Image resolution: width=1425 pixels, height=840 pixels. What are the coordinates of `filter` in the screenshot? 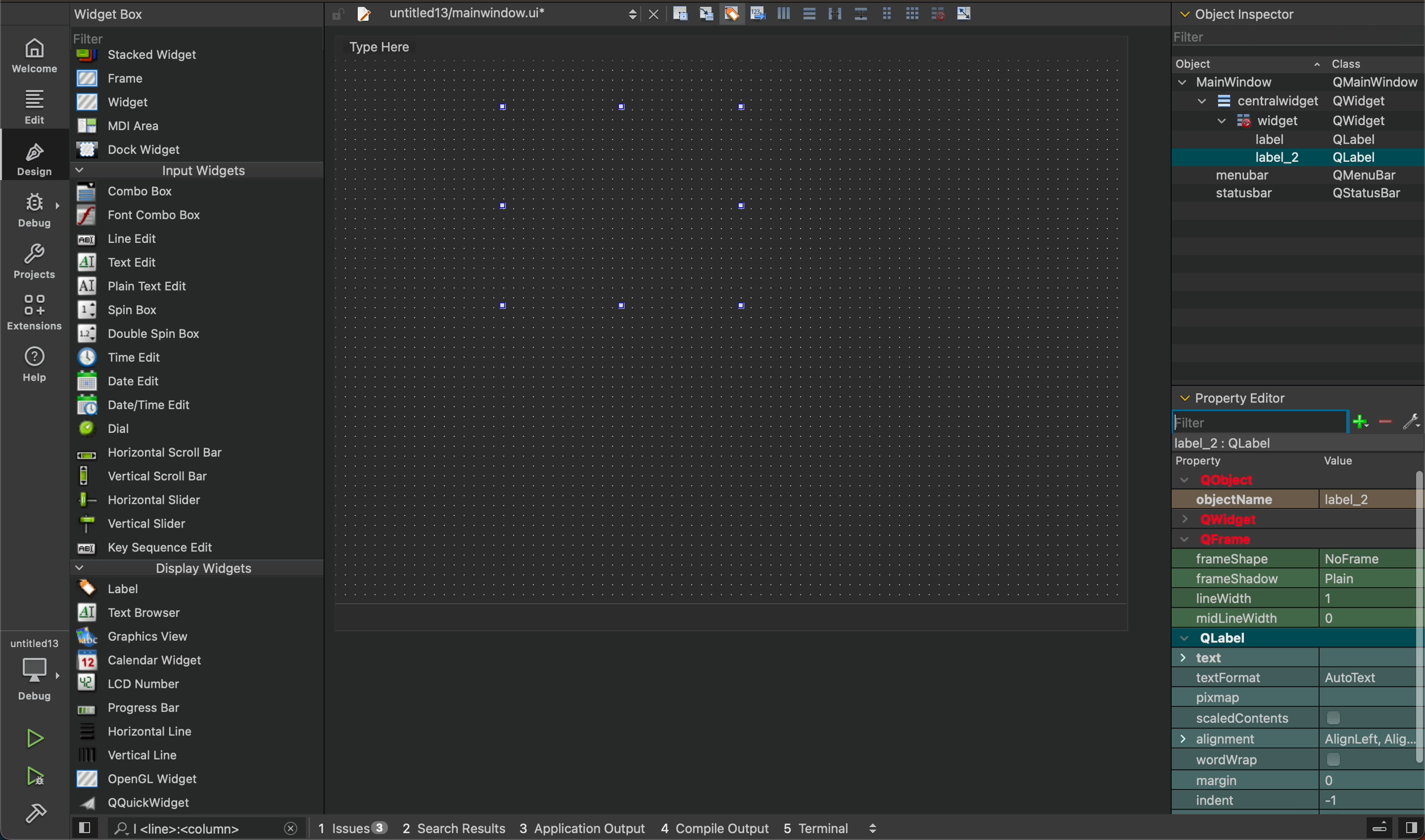 It's located at (1259, 421).